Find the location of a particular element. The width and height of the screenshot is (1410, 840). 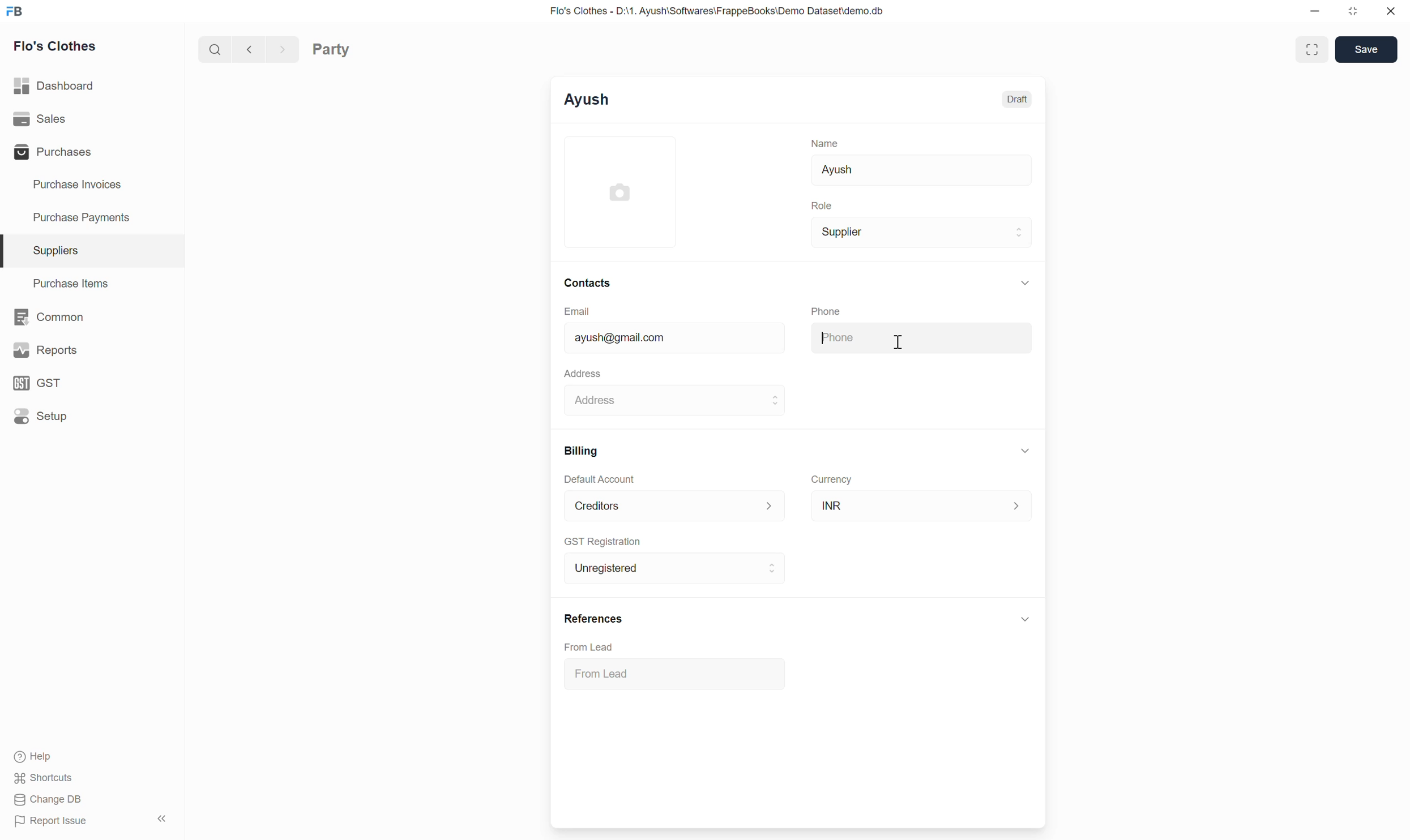

Default Account is located at coordinates (600, 478).